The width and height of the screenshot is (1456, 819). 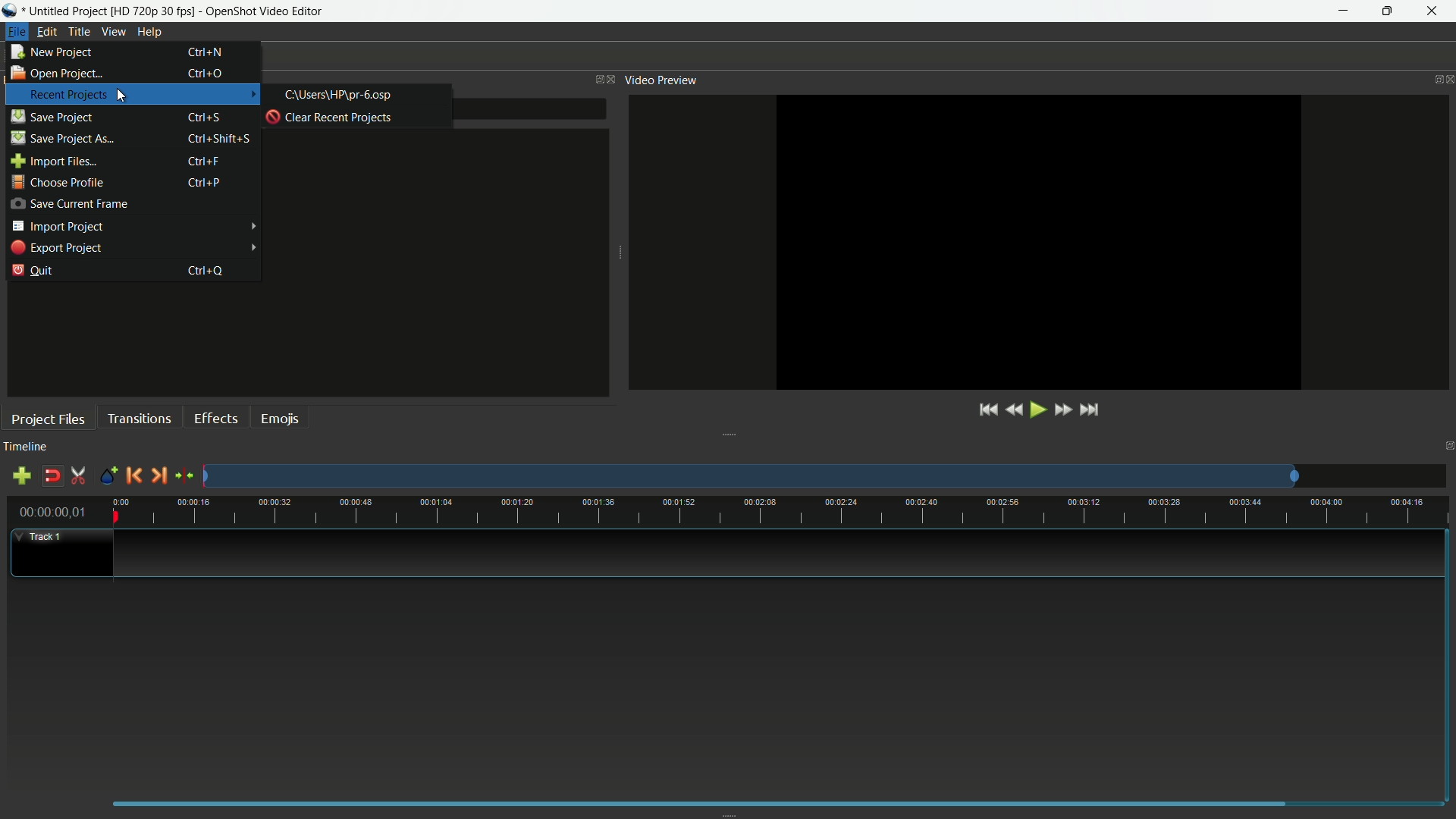 I want to click on clear recent project, so click(x=331, y=117).